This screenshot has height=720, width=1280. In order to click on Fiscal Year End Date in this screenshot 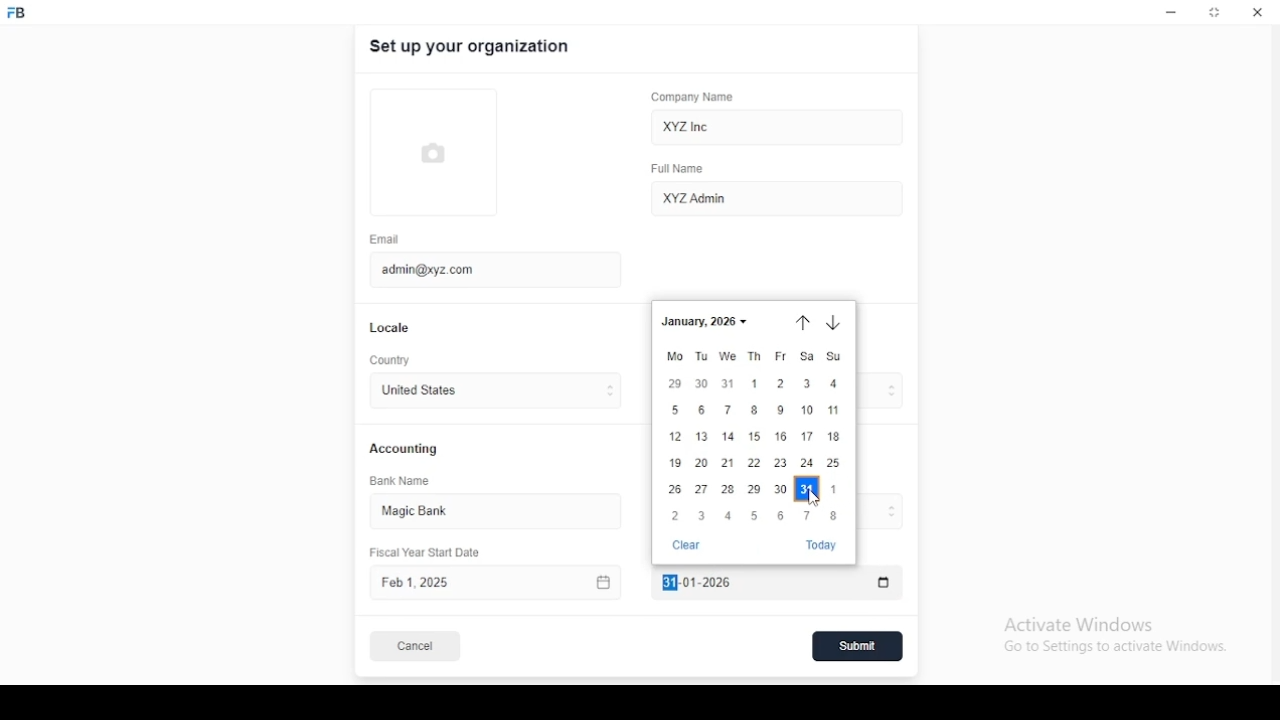, I will do `click(773, 583)`.